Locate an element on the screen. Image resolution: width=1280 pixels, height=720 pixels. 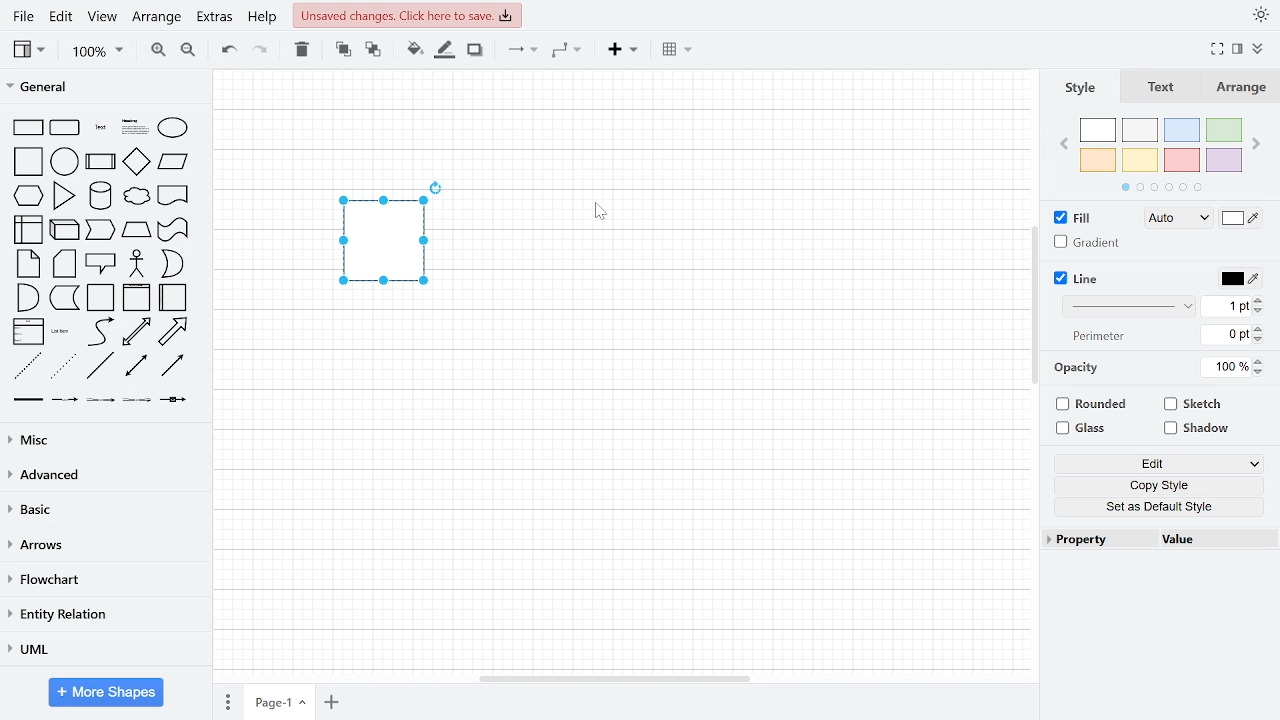
vertical container is located at coordinates (136, 297).